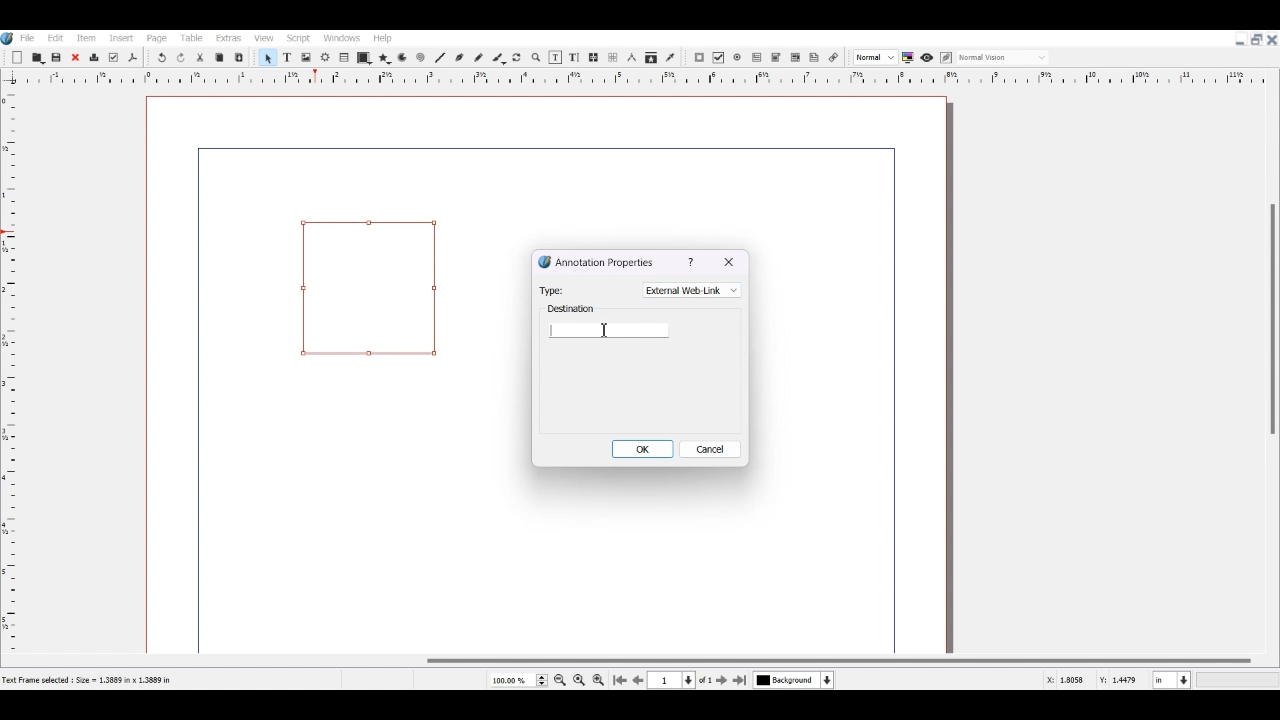 The height and width of the screenshot is (720, 1280). I want to click on Go to Last Page, so click(742, 681).